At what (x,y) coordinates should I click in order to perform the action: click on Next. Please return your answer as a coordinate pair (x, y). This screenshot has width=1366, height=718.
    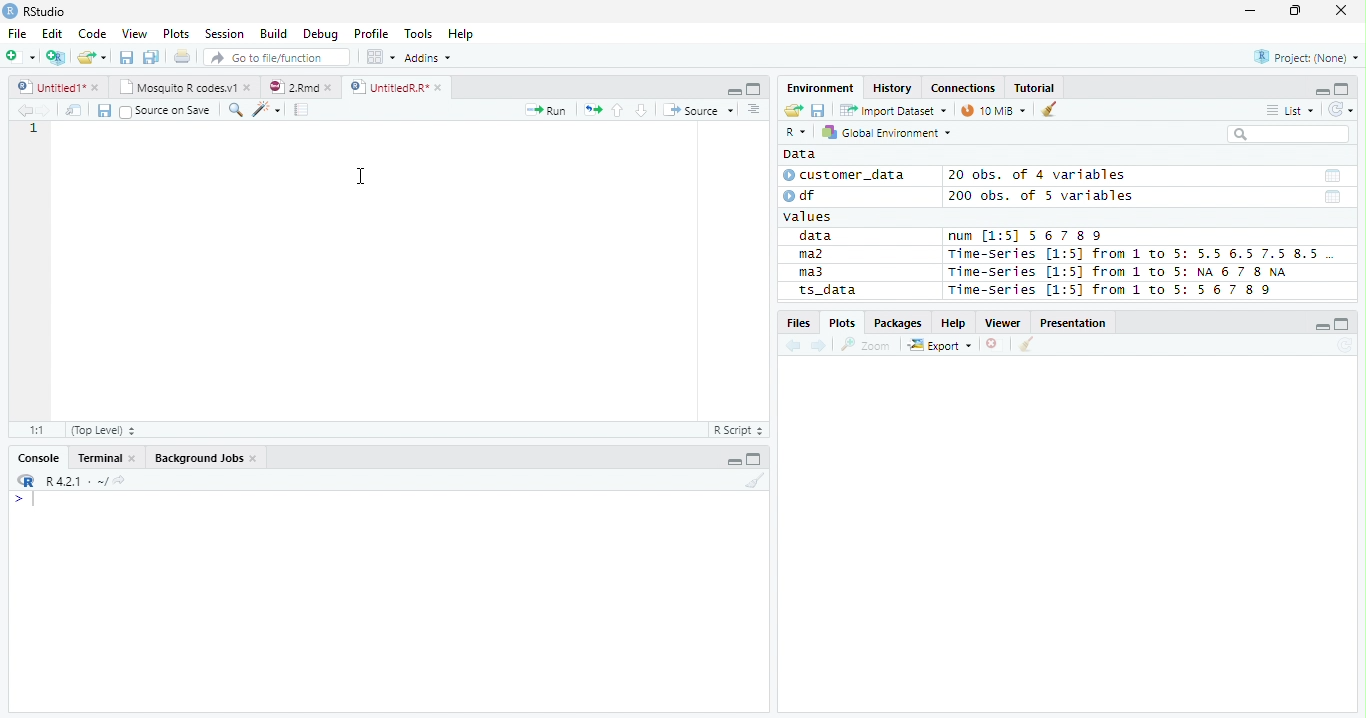
    Looking at the image, I should click on (45, 111).